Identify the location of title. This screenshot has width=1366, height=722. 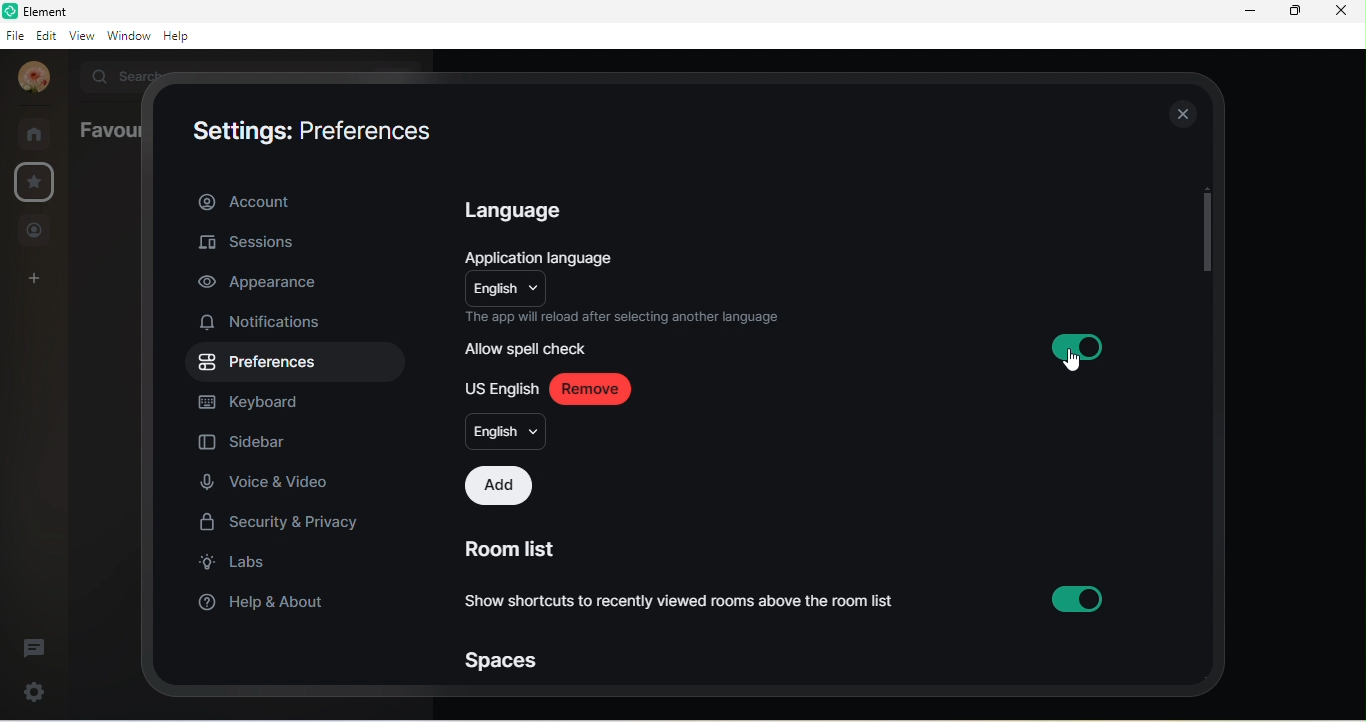
(48, 11).